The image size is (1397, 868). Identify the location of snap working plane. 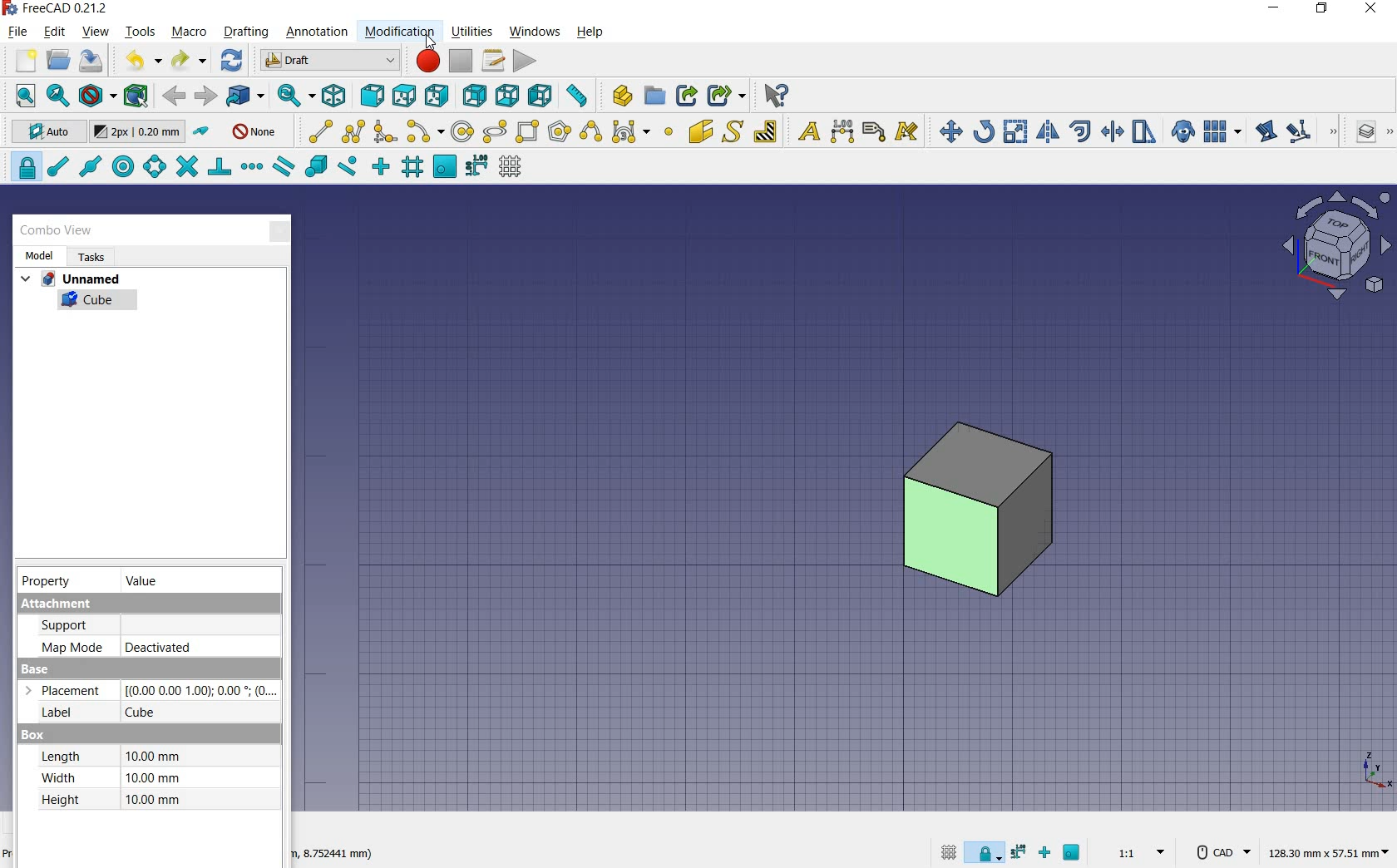
(446, 167).